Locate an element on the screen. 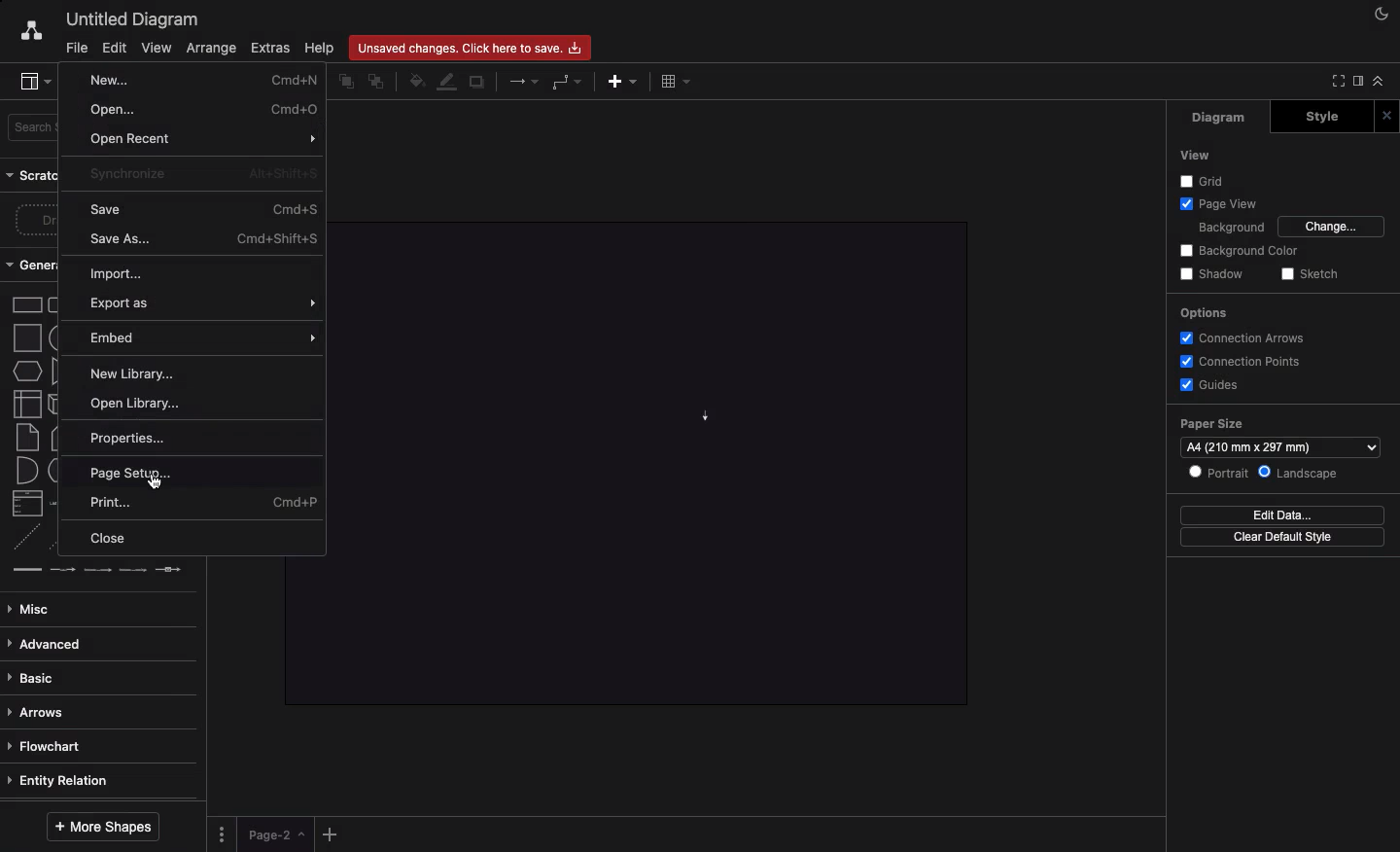  New is located at coordinates (110, 79).